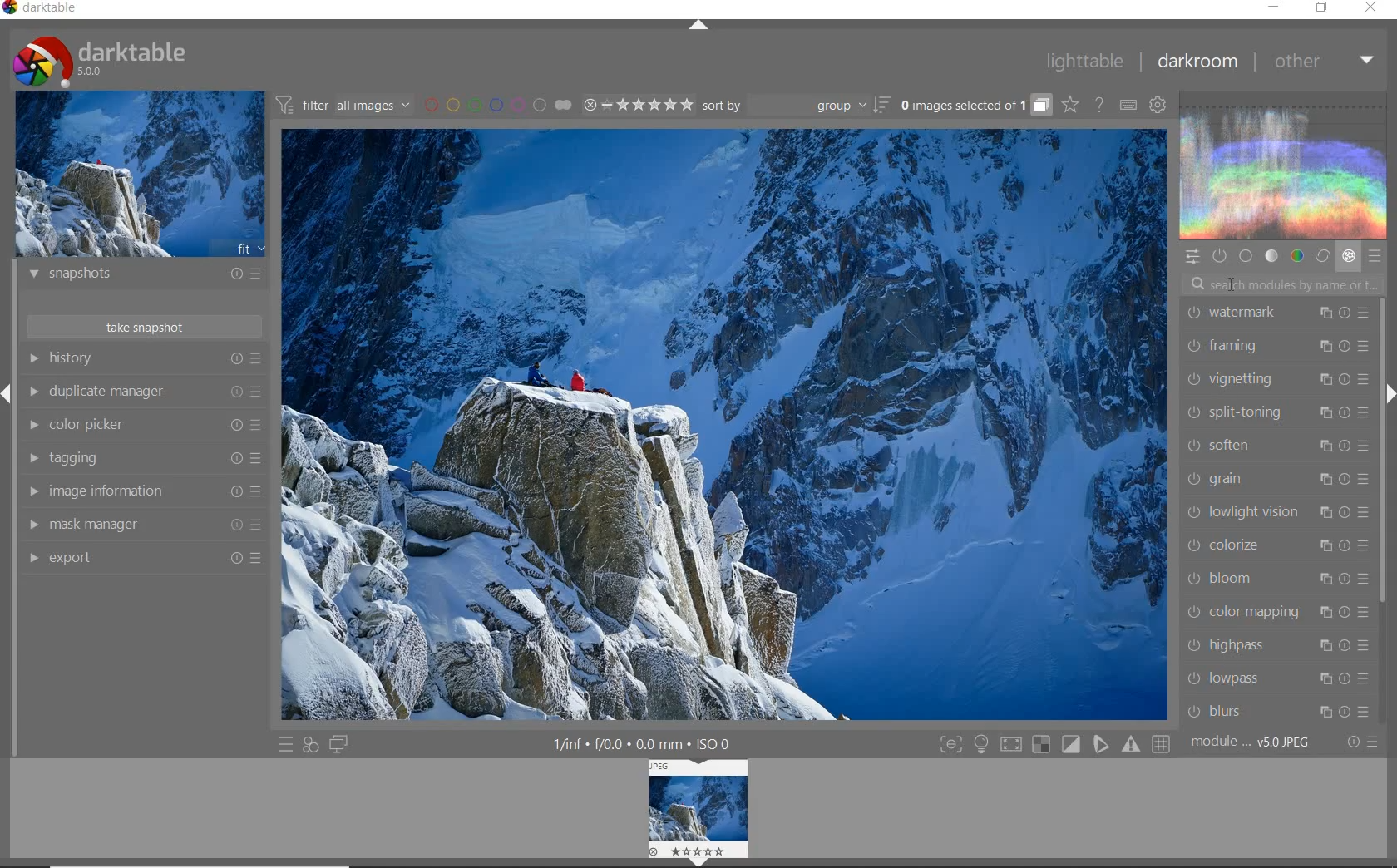 The height and width of the screenshot is (868, 1397). What do you see at coordinates (1069, 106) in the screenshot?
I see `click to change overlays on thumbnails` at bounding box center [1069, 106].